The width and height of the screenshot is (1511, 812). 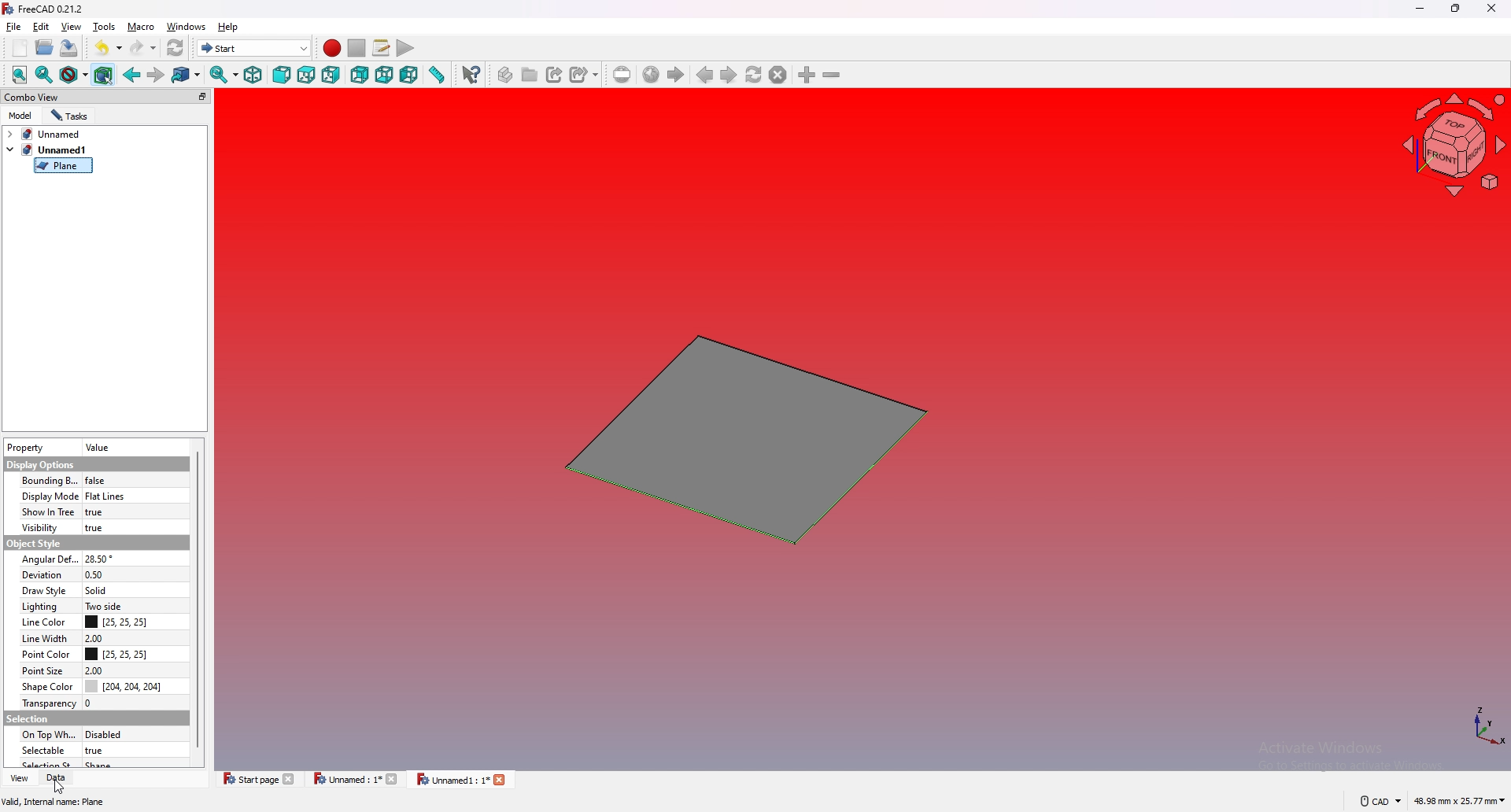 What do you see at coordinates (109, 735) in the screenshot?
I see `disabled` at bounding box center [109, 735].